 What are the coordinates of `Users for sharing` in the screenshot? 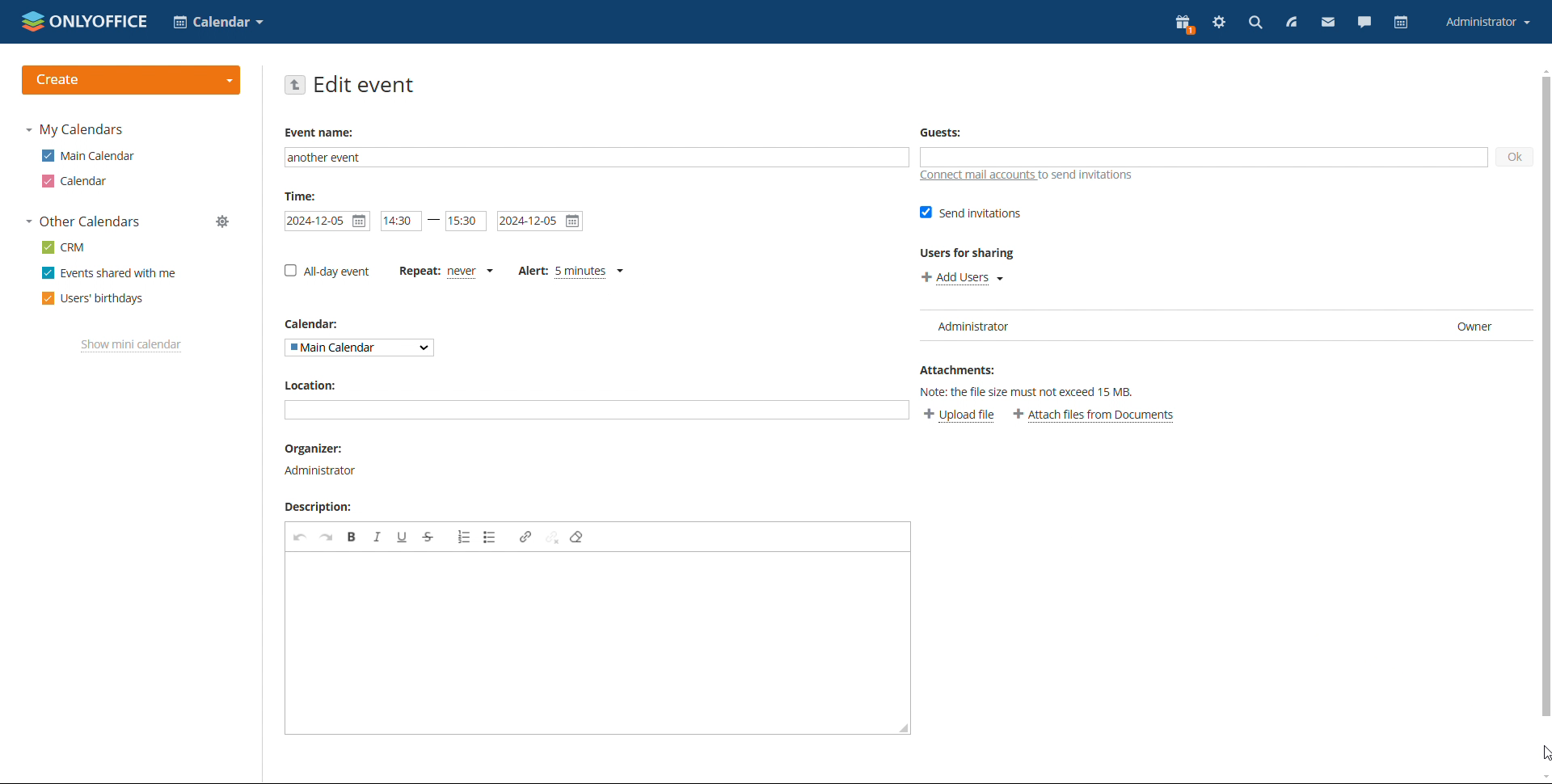 It's located at (969, 253).